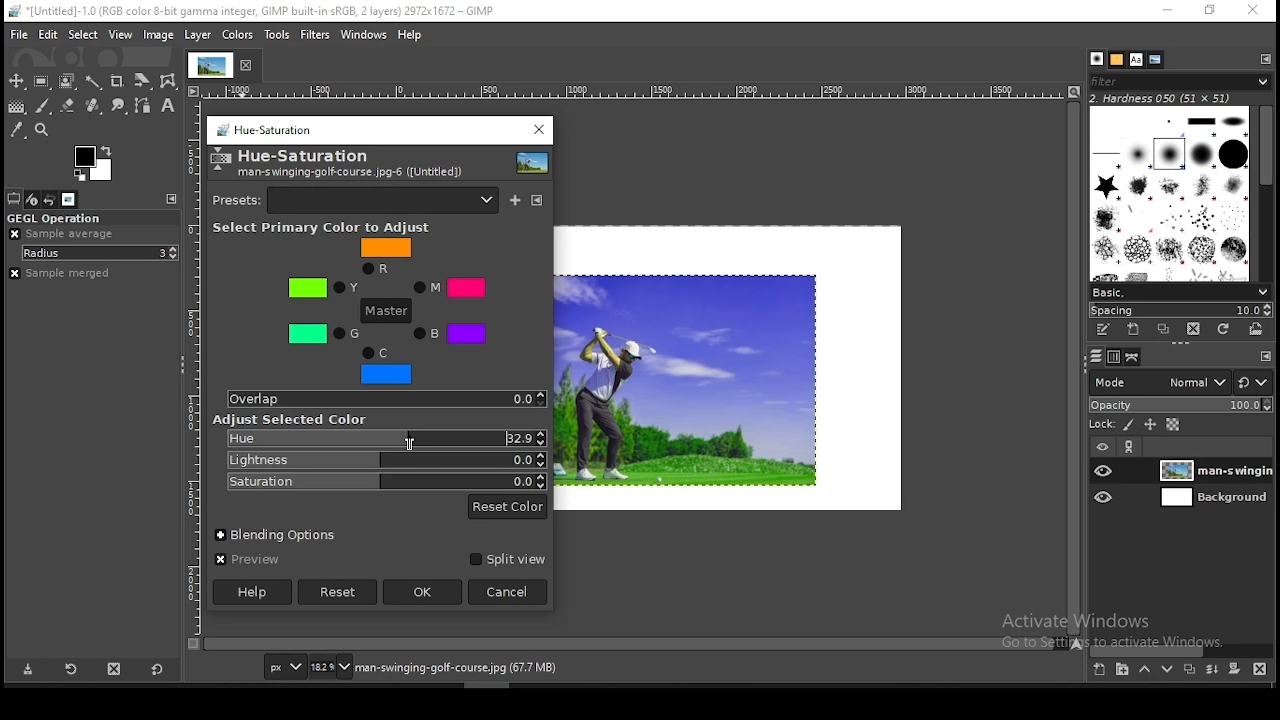 The height and width of the screenshot is (720, 1280). Describe the element at coordinates (118, 82) in the screenshot. I see `crop tool` at that location.